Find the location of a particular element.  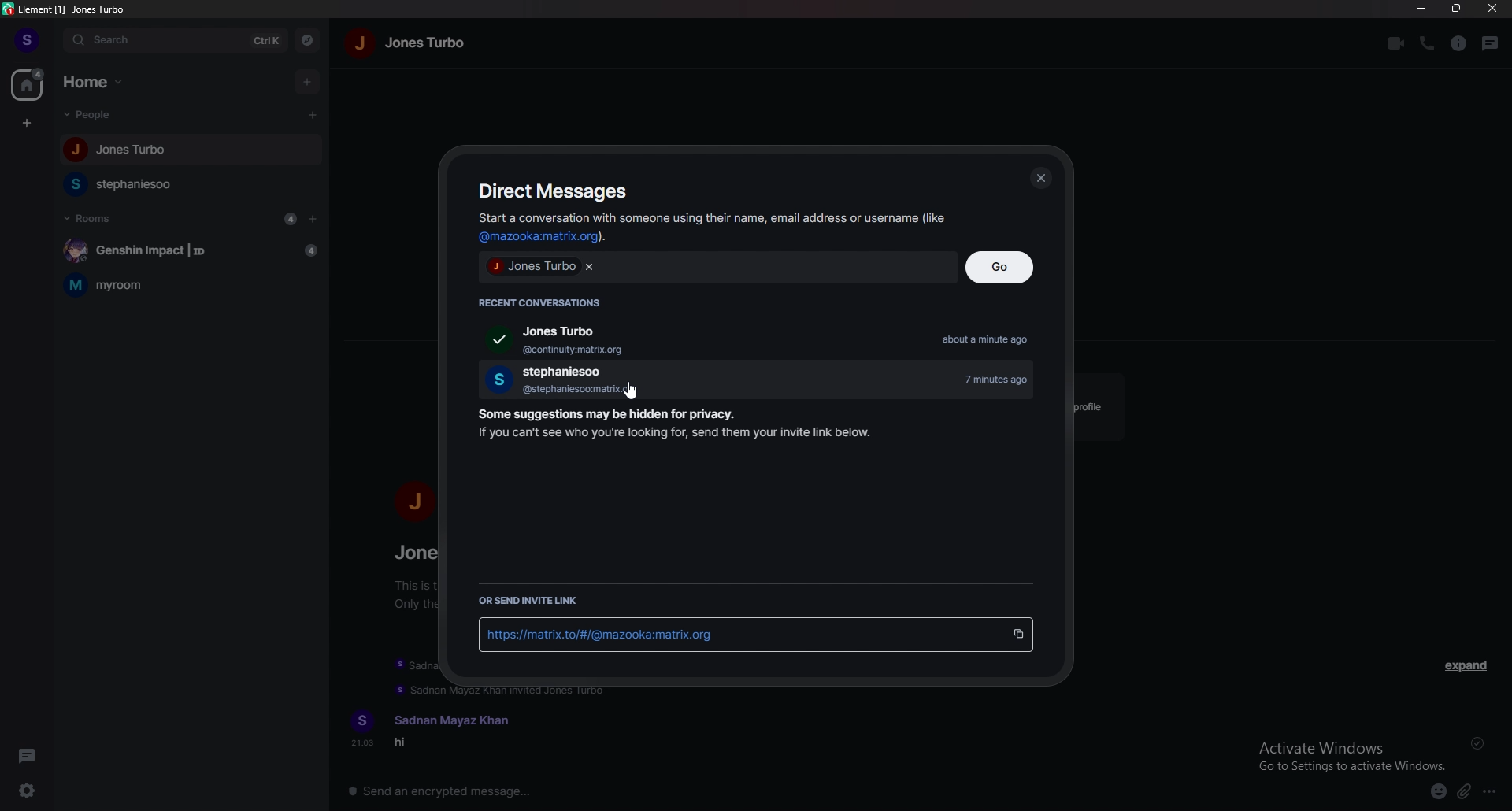

Activate Windows
Go to Settings to activate Windows. is located at coordinates (1353, 754).